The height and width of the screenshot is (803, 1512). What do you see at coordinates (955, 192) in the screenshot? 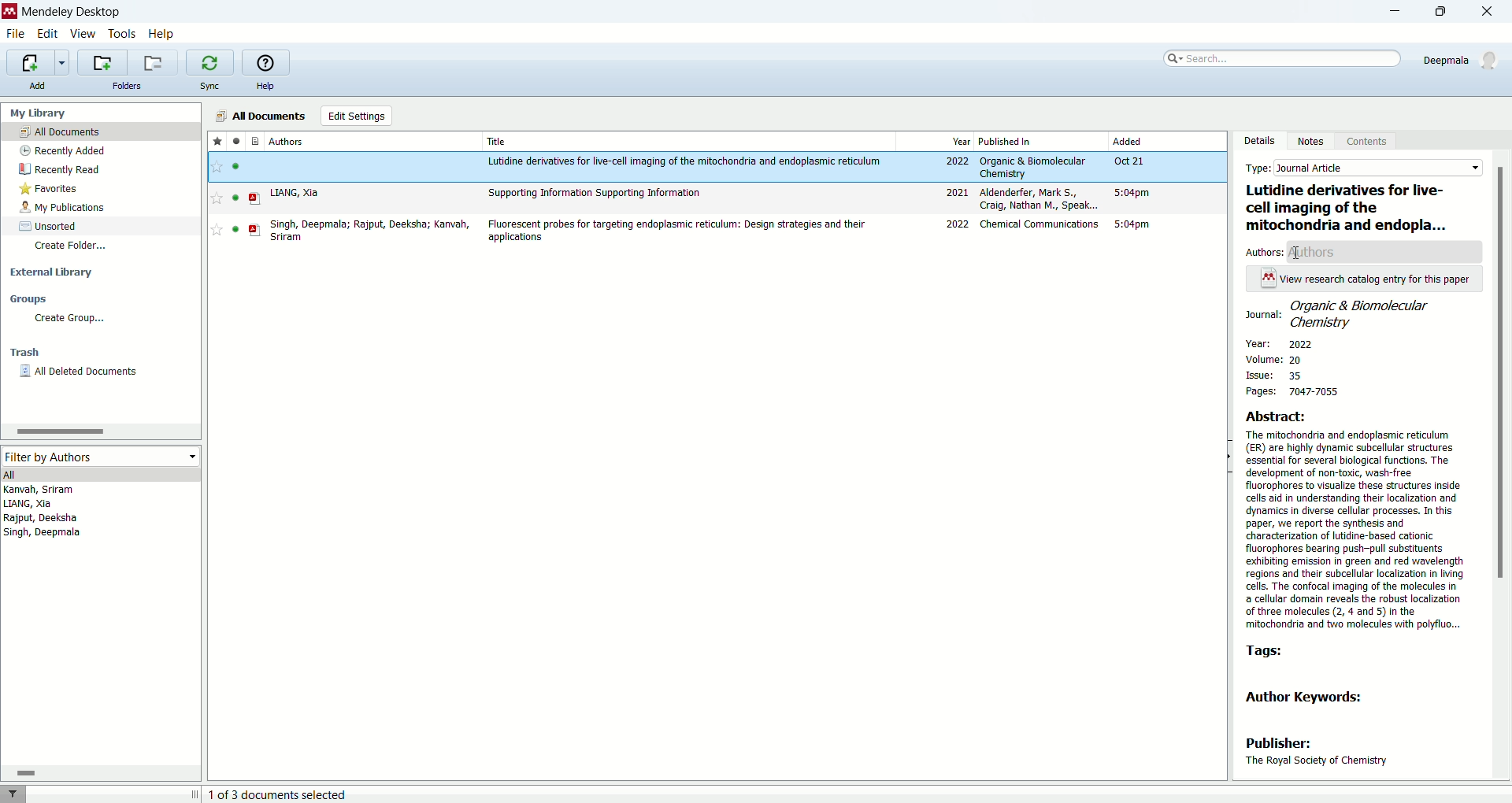
I see `2021` at bounding box center [955, 192].